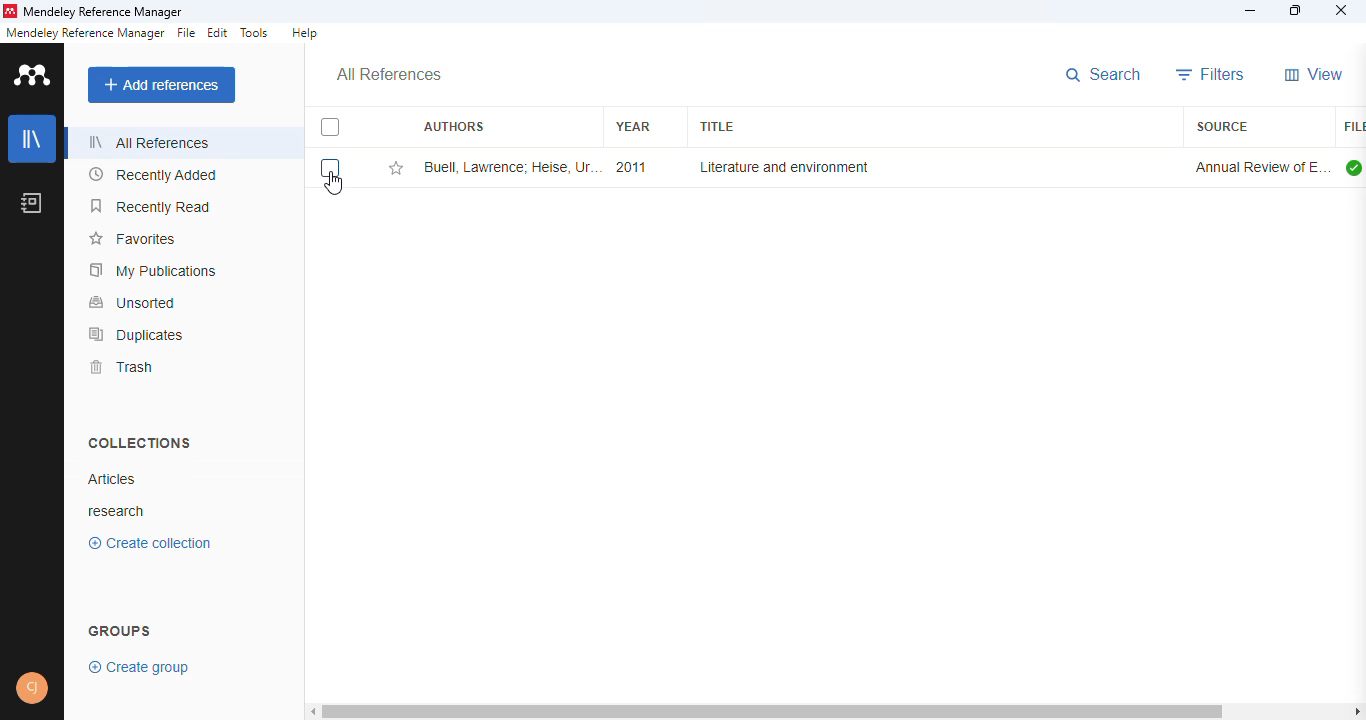  Describe the element at coordinates (511, 167) in the screenshot. I see `Buell Lawrence; Heise U, ThornberK` at that location.